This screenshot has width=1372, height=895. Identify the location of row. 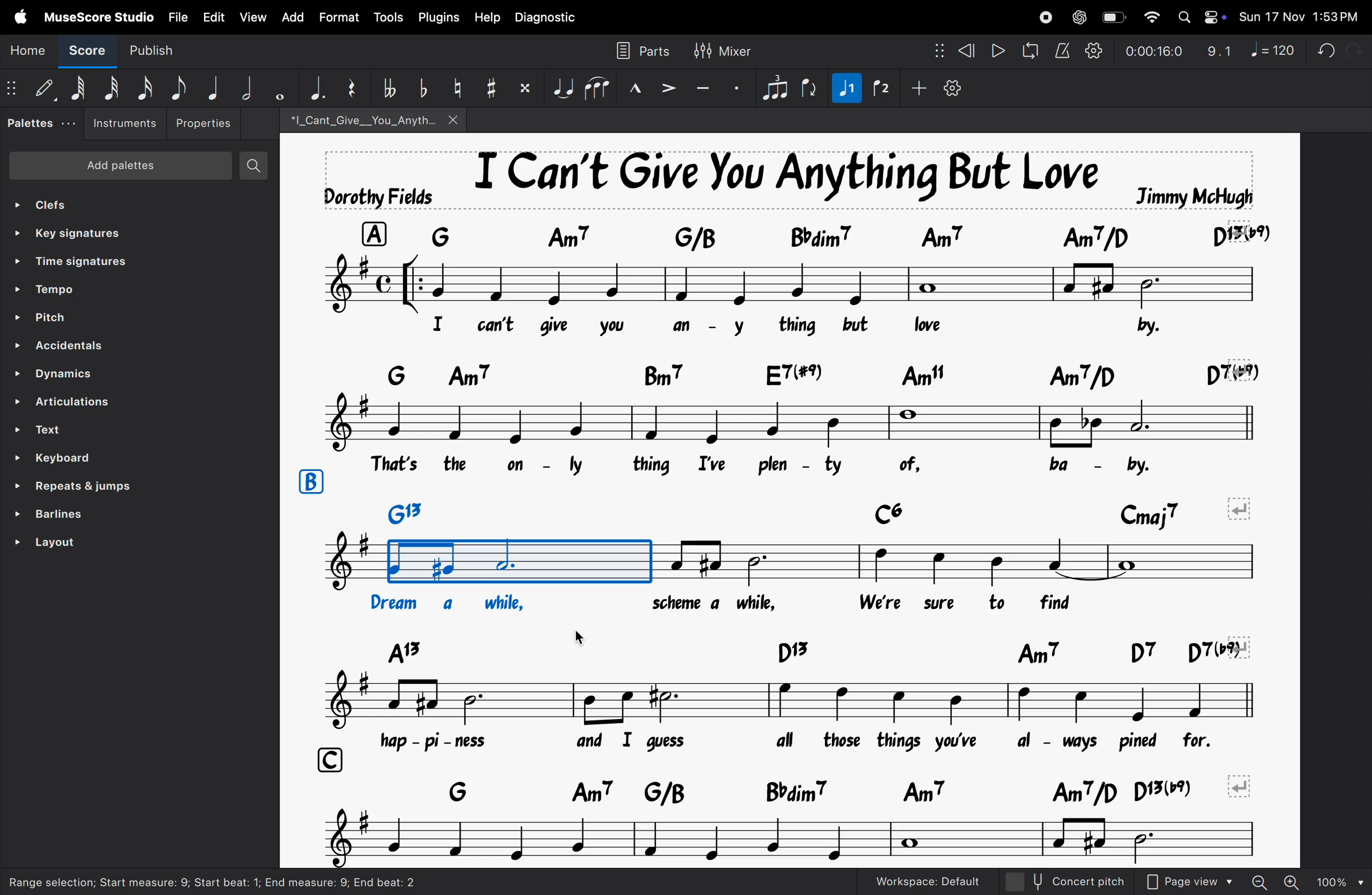
(311, 482).